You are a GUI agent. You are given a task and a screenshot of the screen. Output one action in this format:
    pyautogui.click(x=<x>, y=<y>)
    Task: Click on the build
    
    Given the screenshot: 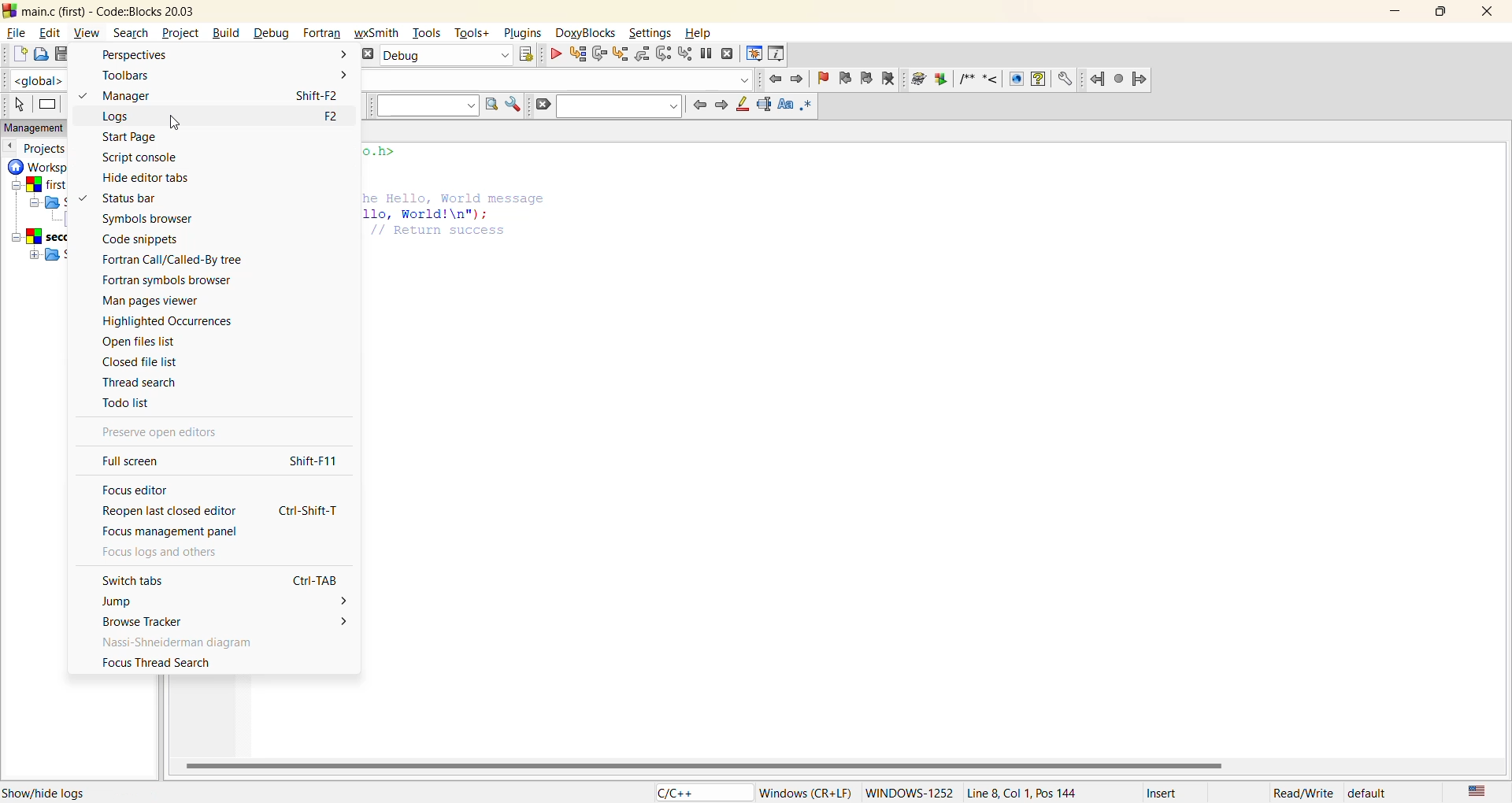 What is the action you would take?
    pyautogui.click(x=224, y=33)
    